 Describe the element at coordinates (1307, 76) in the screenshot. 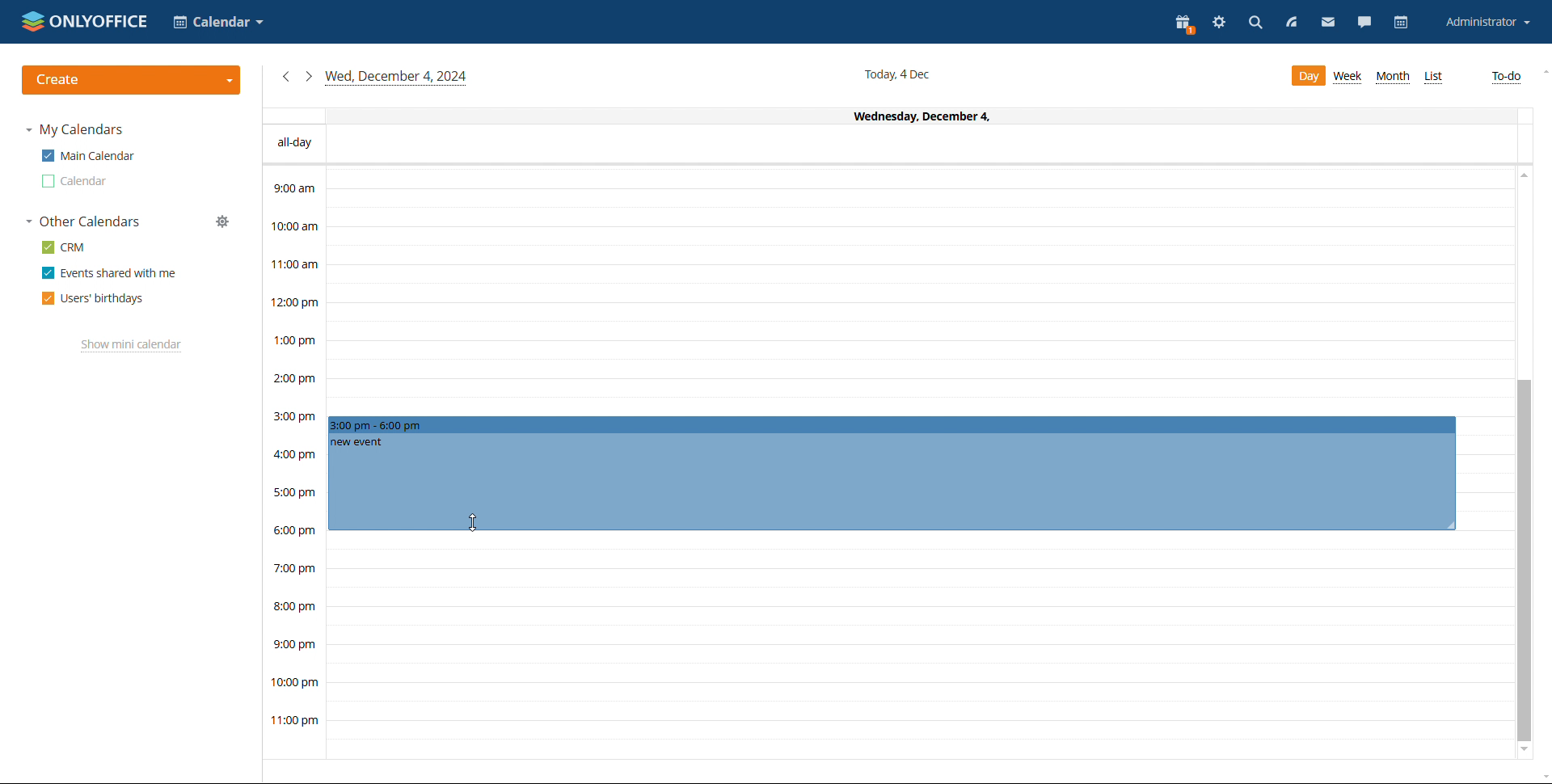

I see `day view` at that location.